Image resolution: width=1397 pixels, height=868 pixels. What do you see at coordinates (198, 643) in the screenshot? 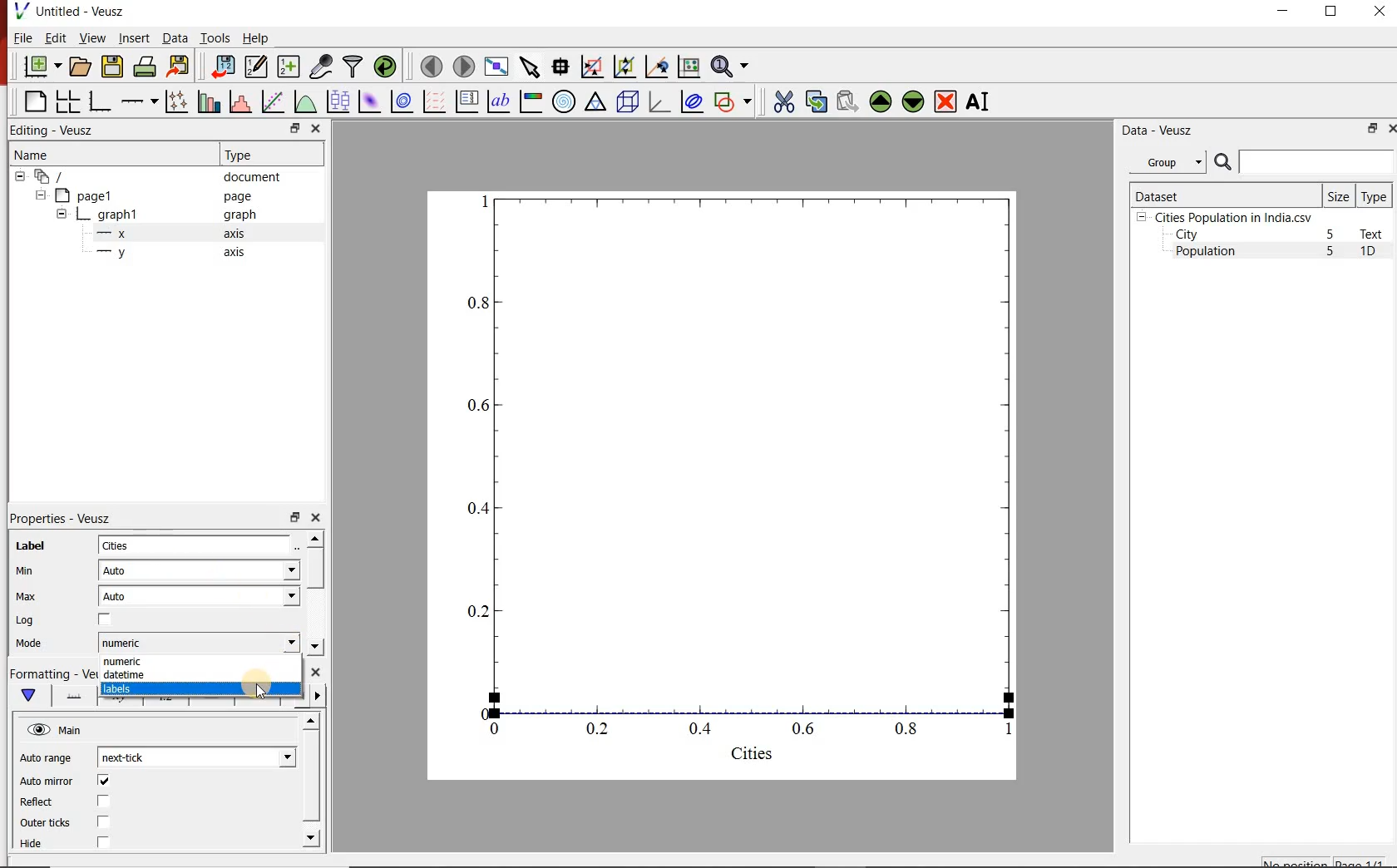
I see `numeric` at bounding box center [198, 643].